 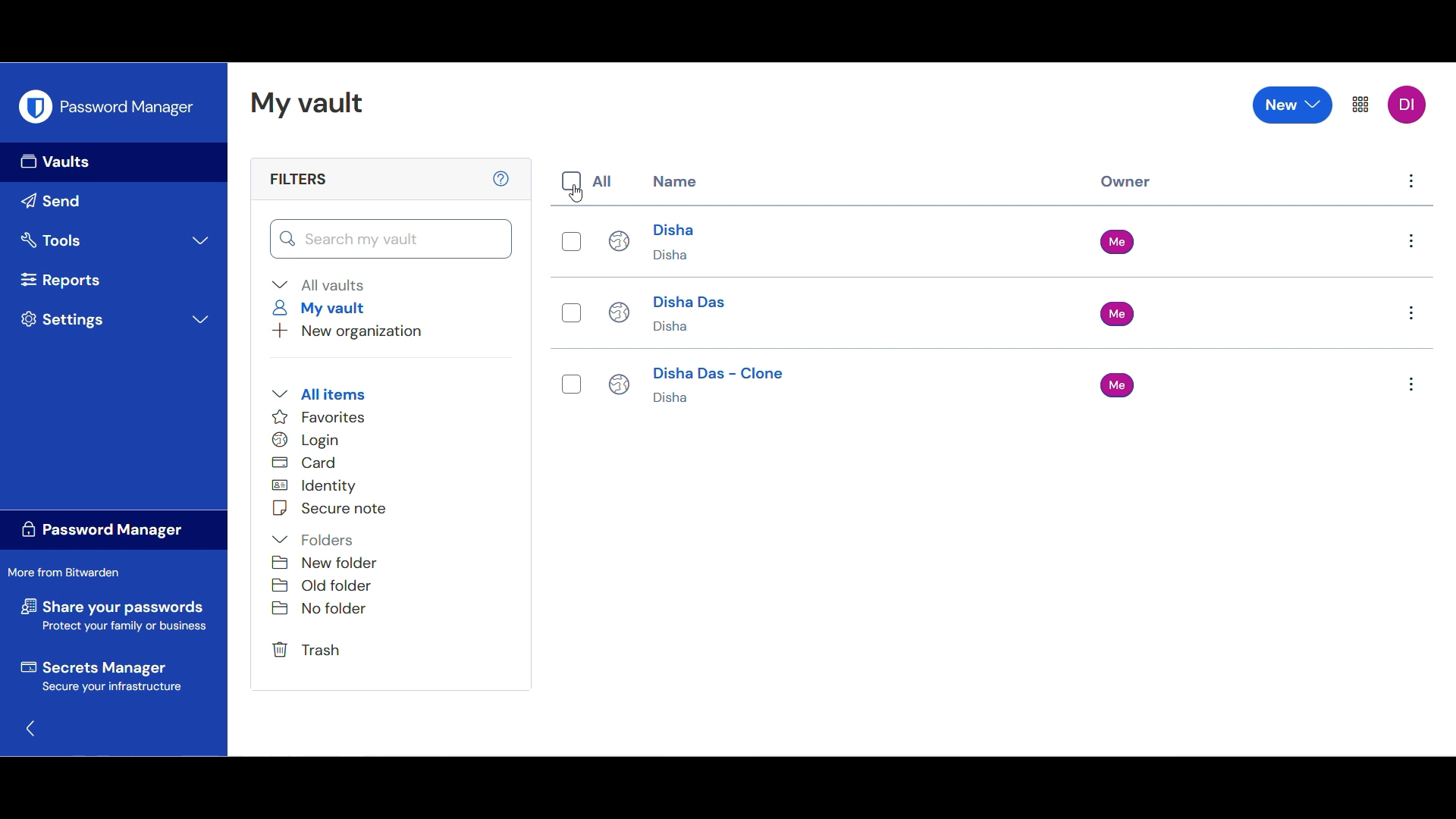 What do you see at coordinates (317, 440) in the screenshot?
I see `Login ` at bounding box center [317, 440].